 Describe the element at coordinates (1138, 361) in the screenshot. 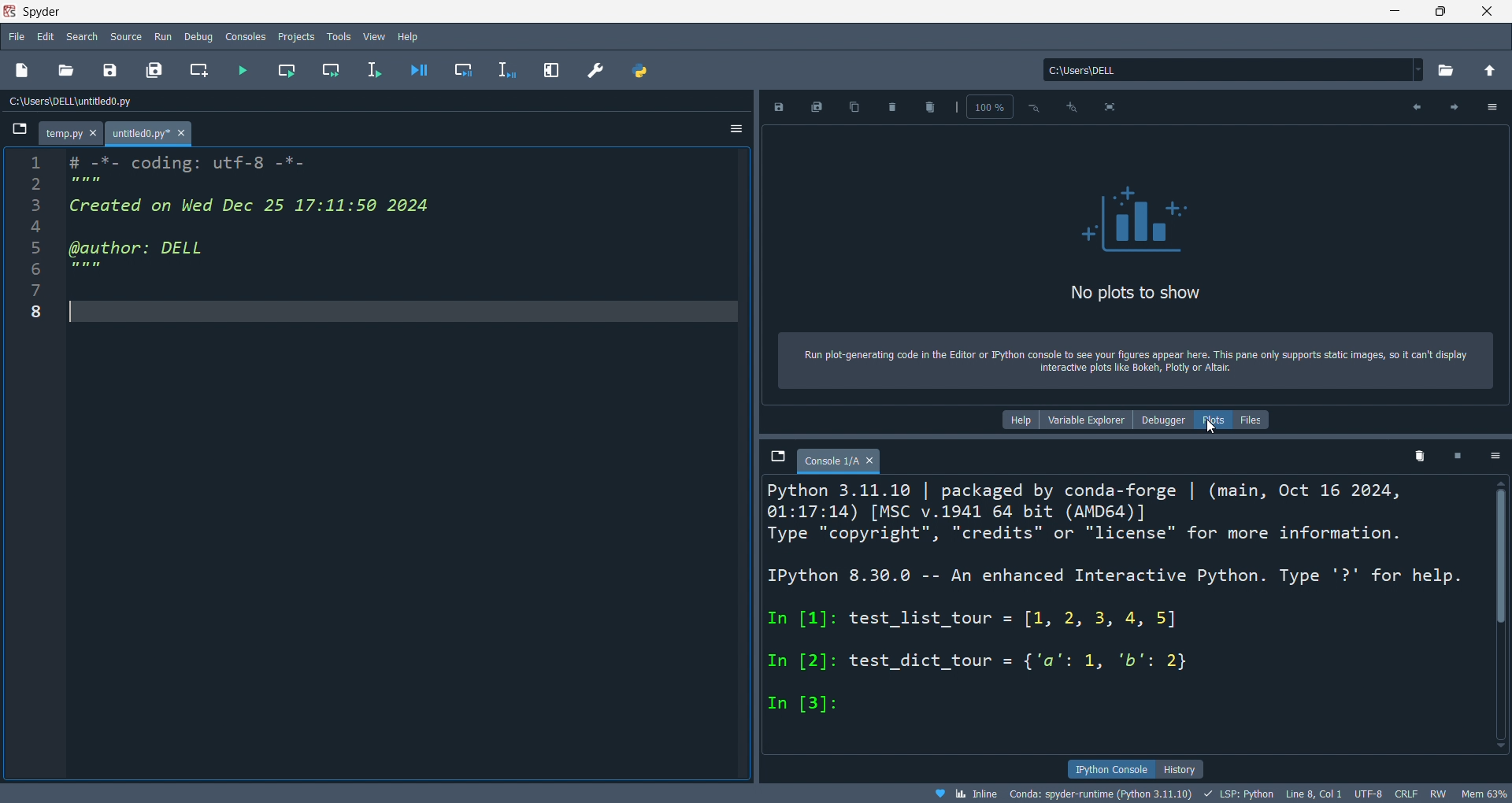

I see `plot pane info` at that location.